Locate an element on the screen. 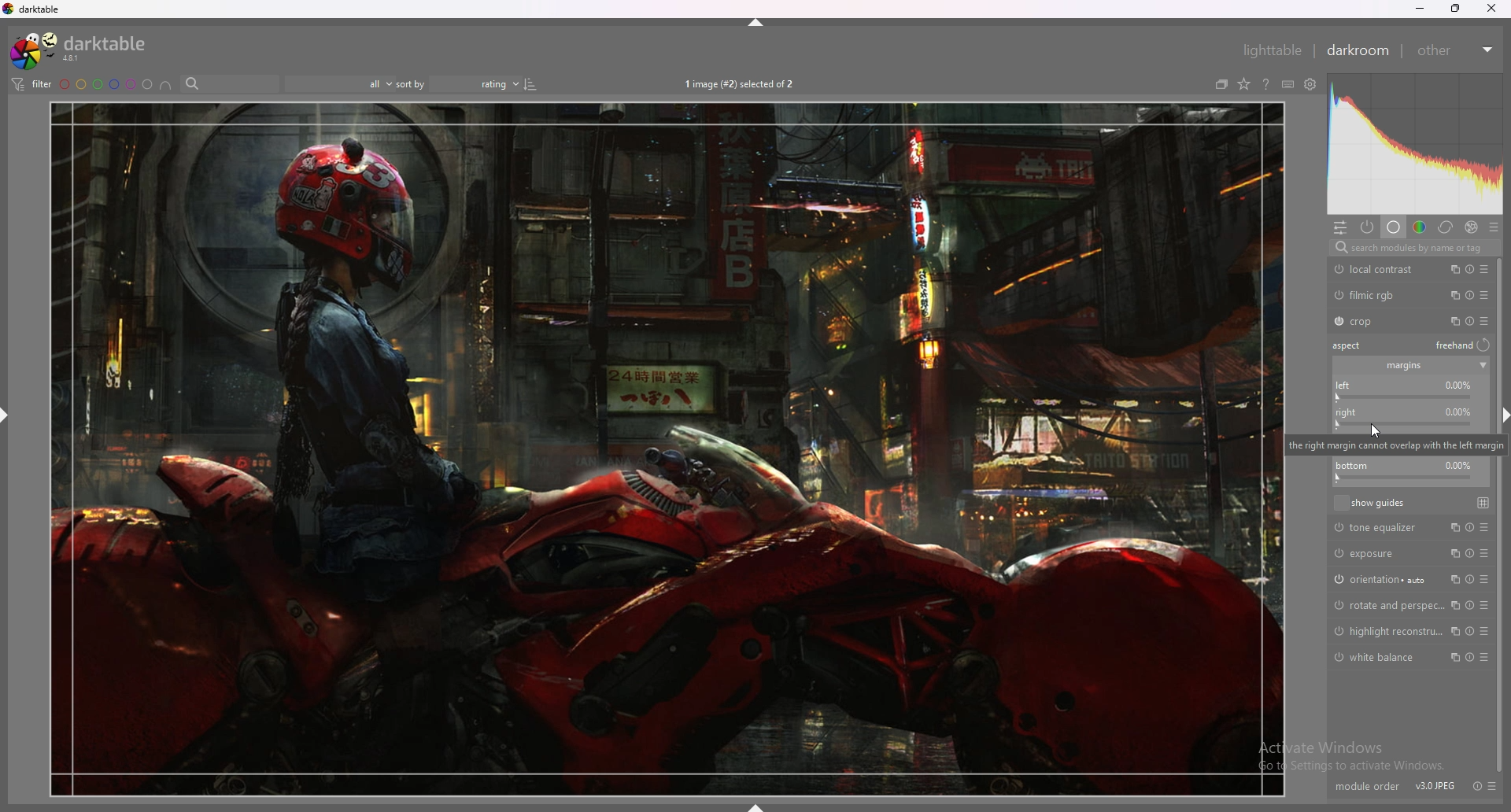 This screenshot has width=1511, height=812. filter by images rating is located at coordinates (339, 83).